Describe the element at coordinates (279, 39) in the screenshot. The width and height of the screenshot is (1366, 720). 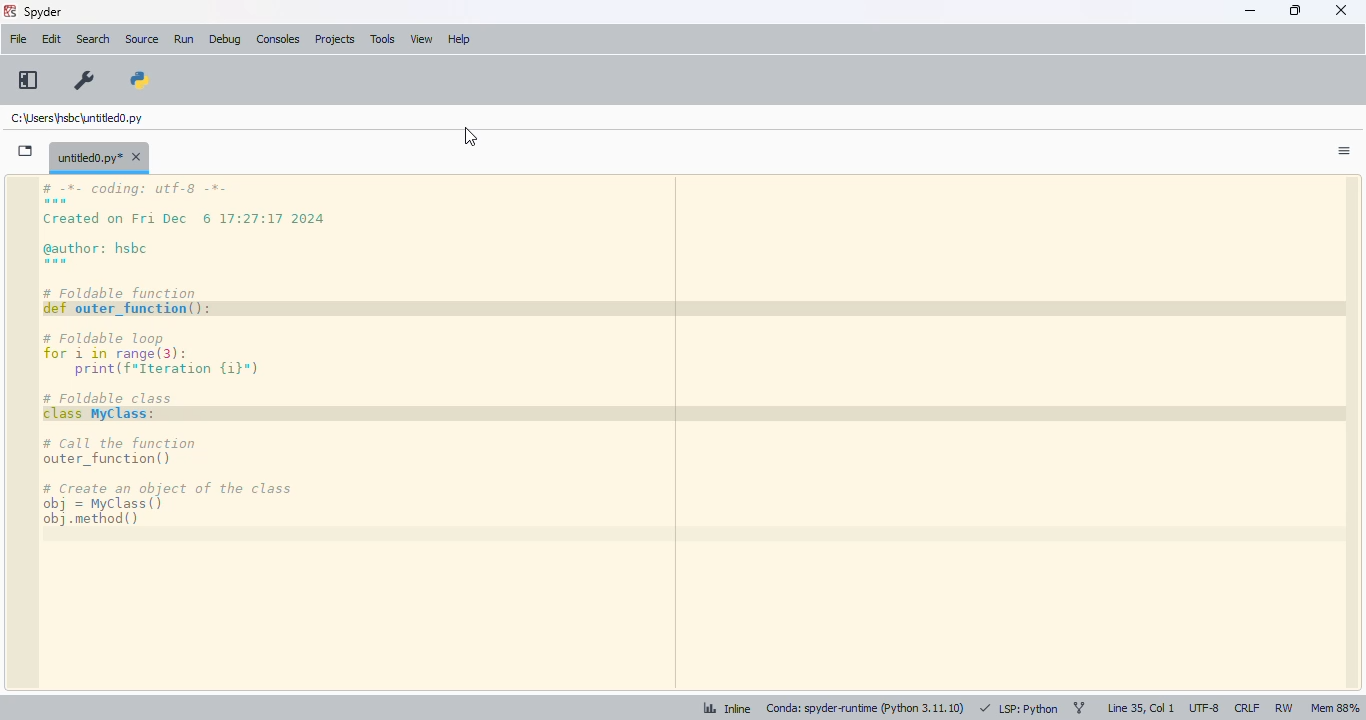
I see `consoles` at that location.